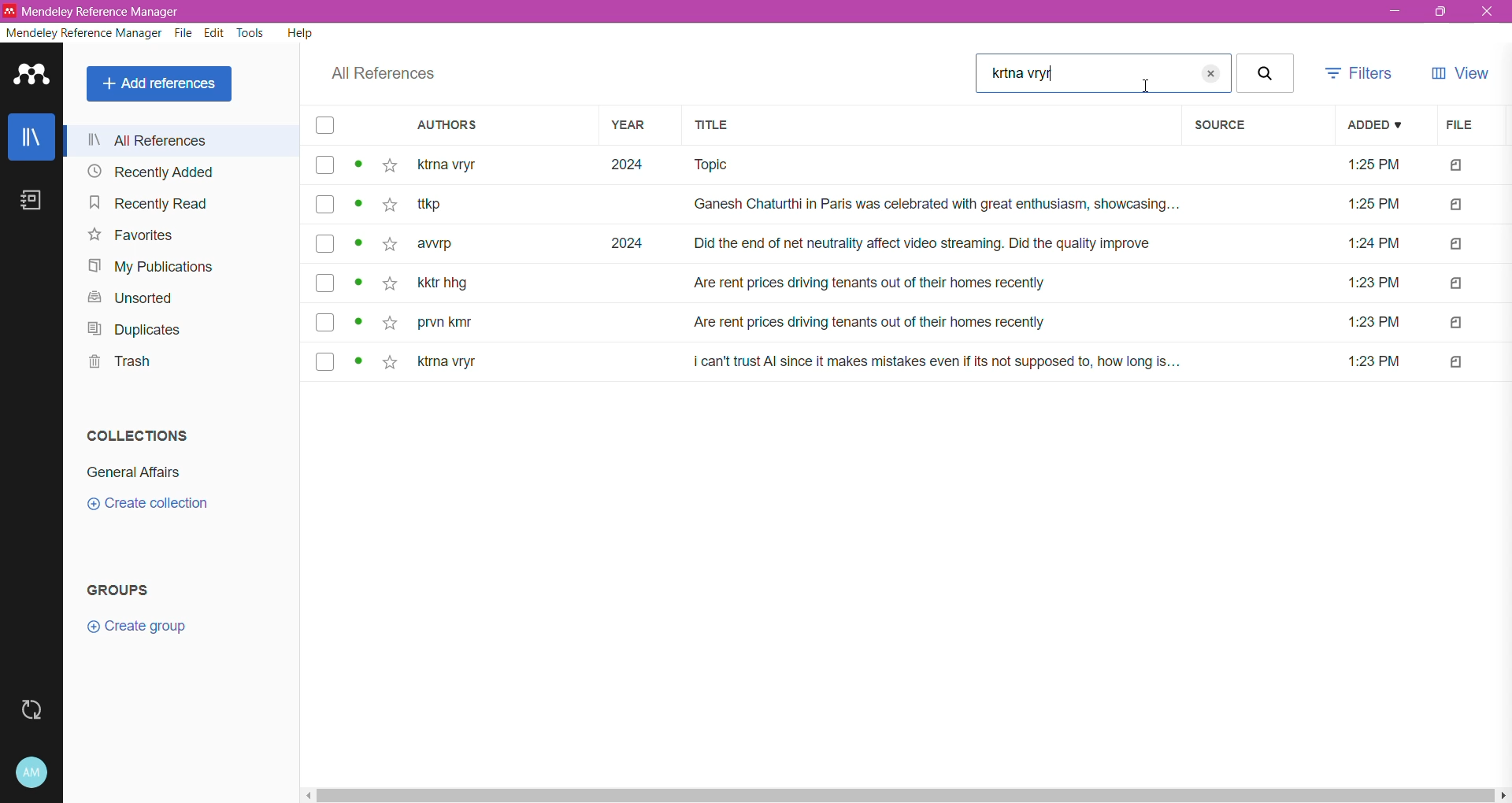  I want to click on view status of the file, so click(359, 244).